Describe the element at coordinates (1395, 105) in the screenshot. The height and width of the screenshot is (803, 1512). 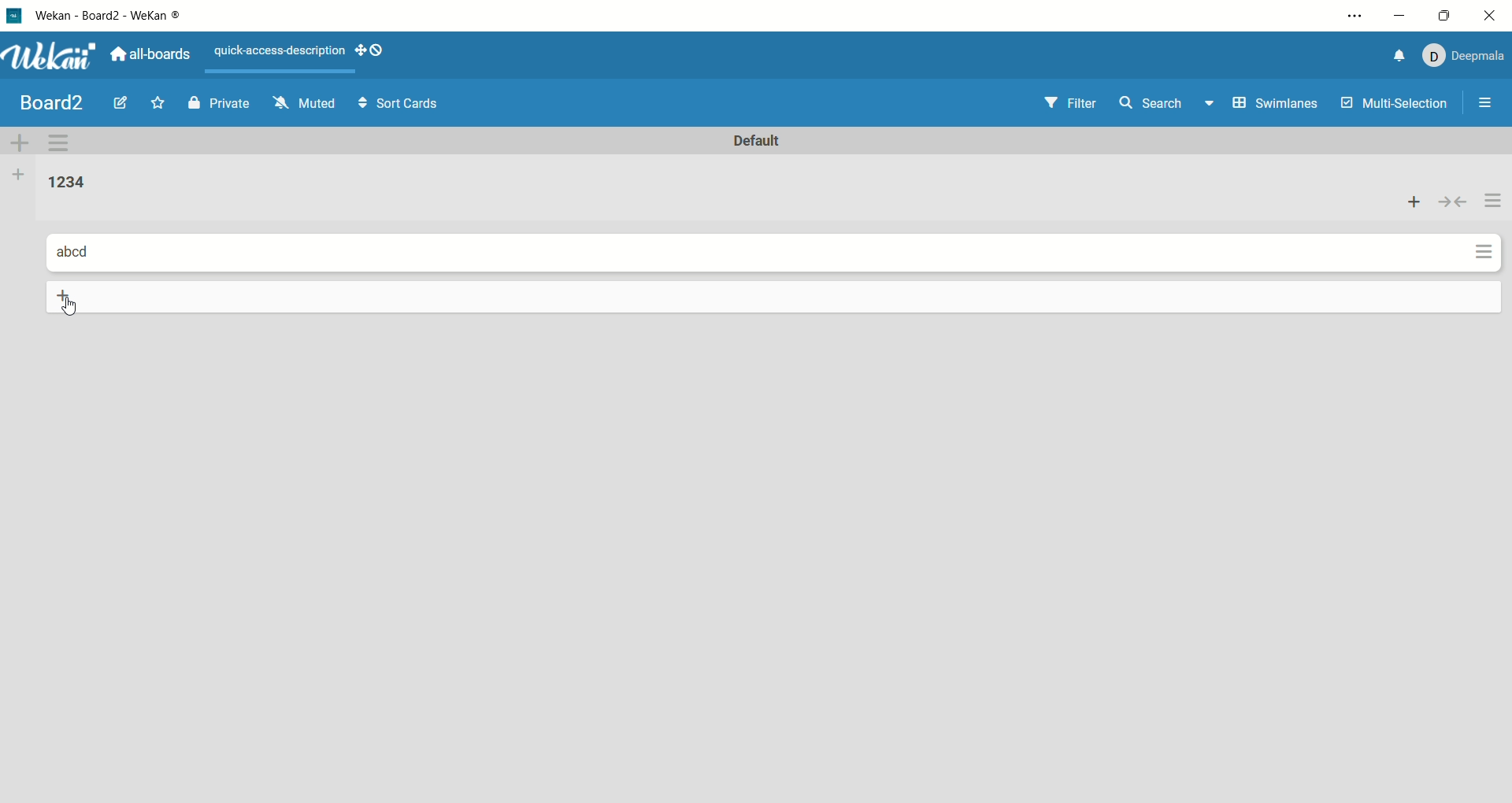
I see `multi-selection` at that location.